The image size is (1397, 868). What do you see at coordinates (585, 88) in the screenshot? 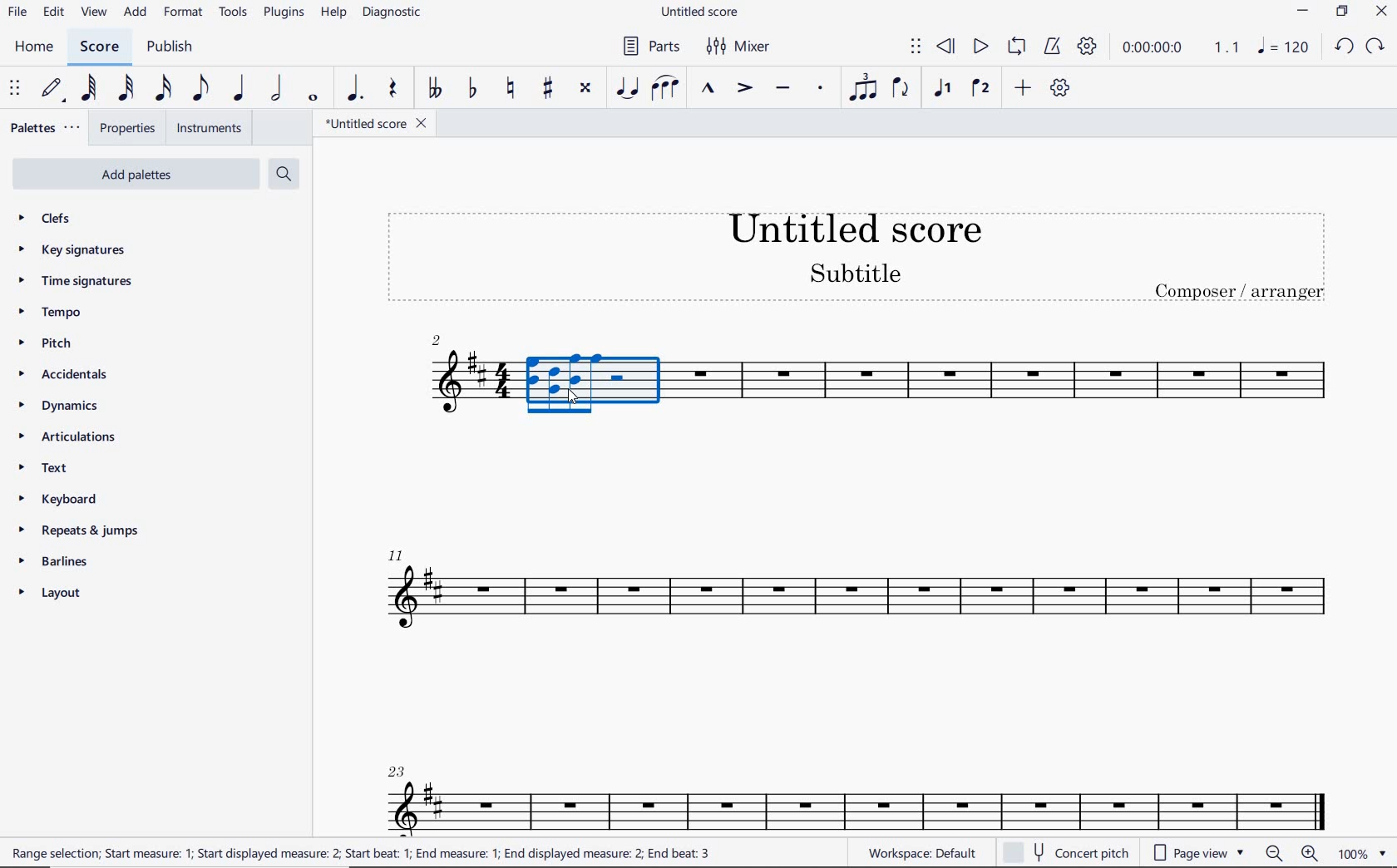
I see `TOGGLE DOUBLE-SHARP` at bounding box center [585, 88].